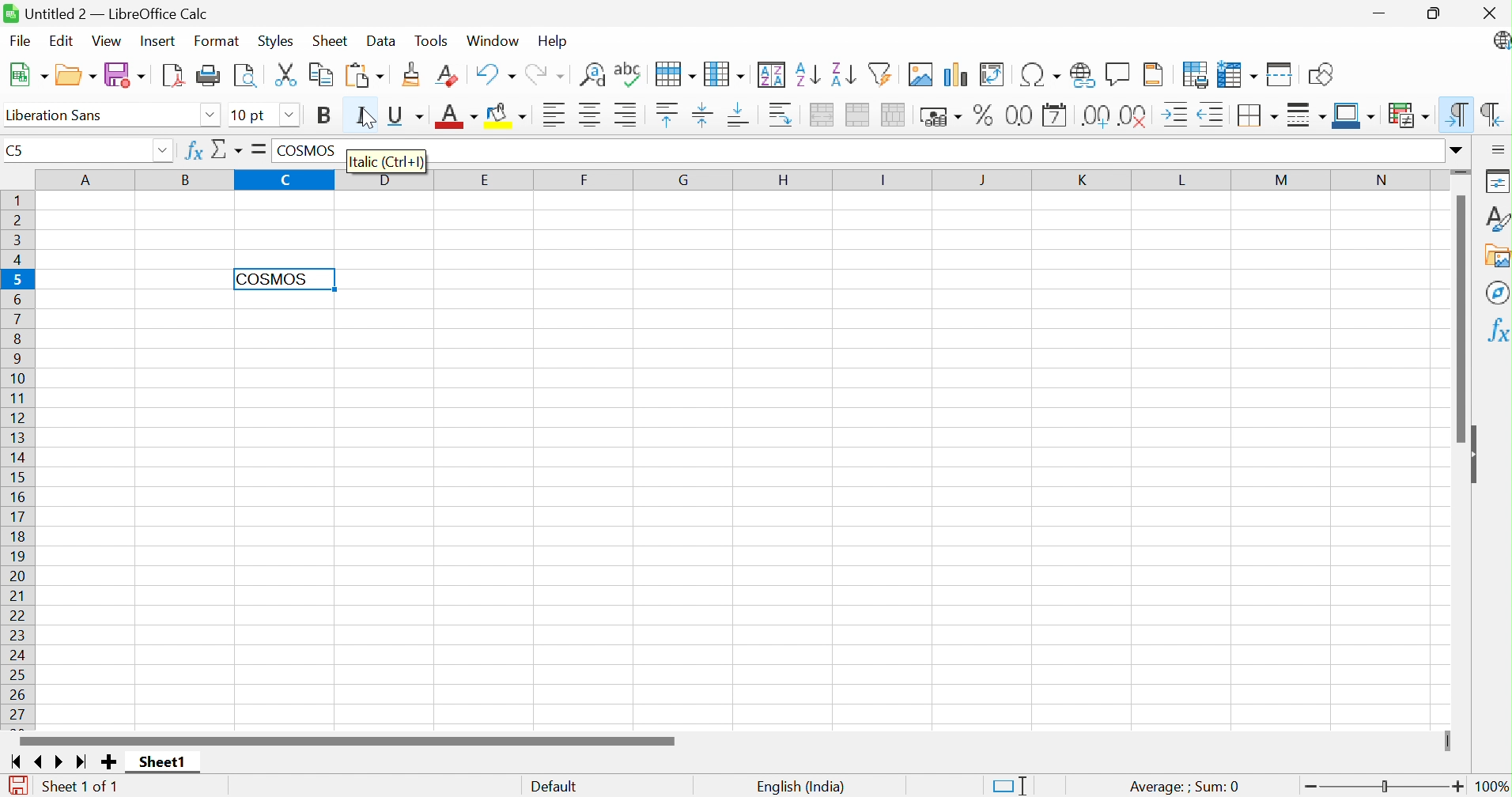  What do you see at coordinates (1306, 786) in the screenshot?
I see `Zoom out` at bounding box center [1306, 786].